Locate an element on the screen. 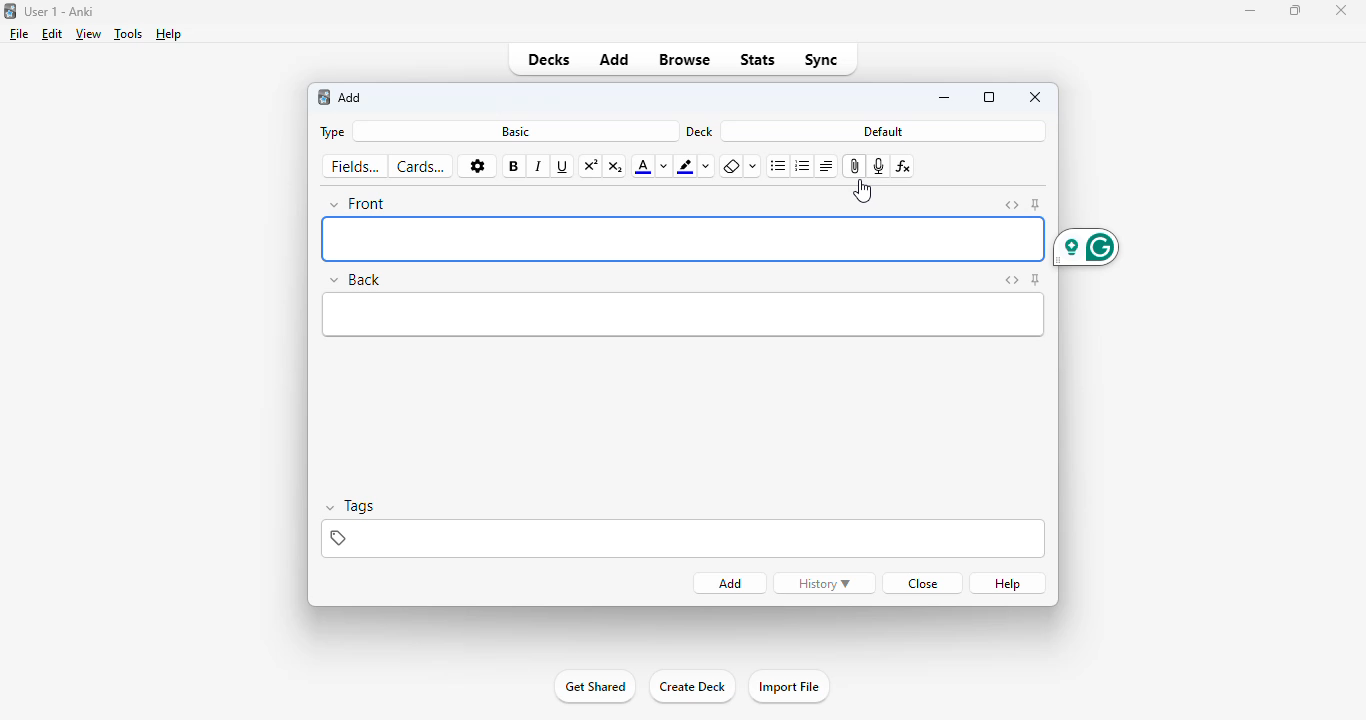 This screenshot has width=1366, height=720. alignment is located at coordinates (826, 167).